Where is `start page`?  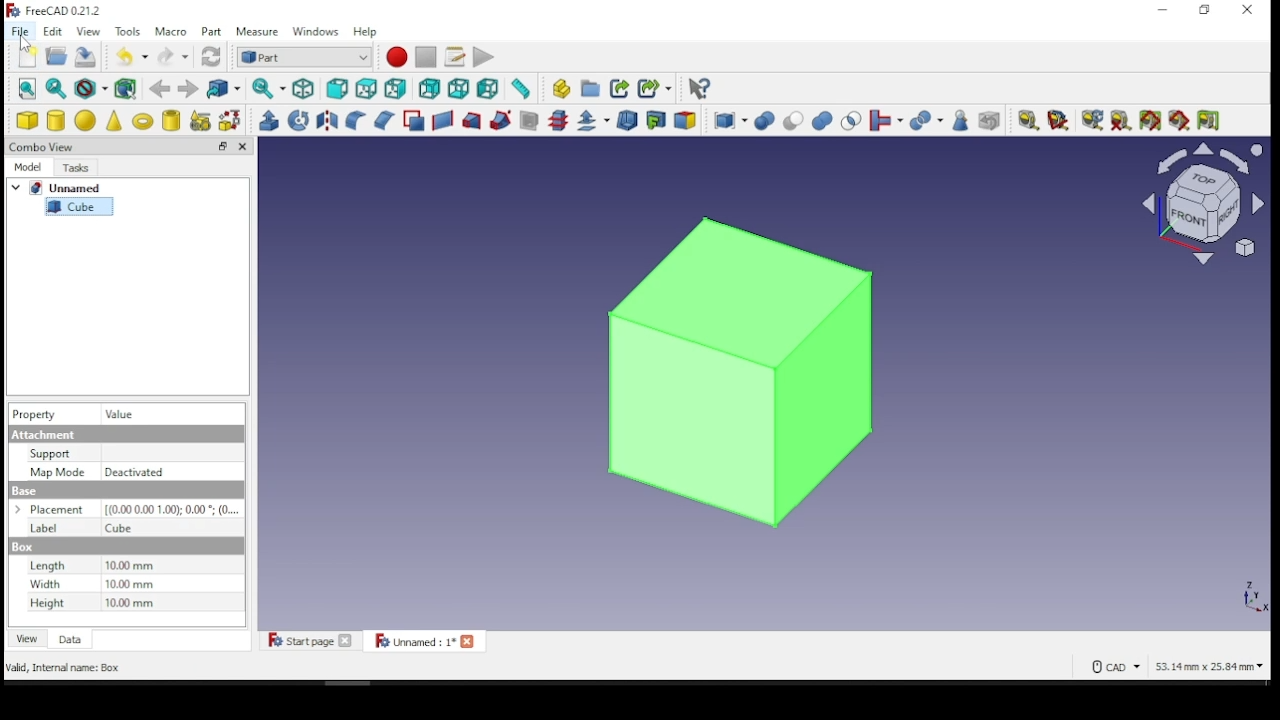 start page is located at coordinates (310, 640).